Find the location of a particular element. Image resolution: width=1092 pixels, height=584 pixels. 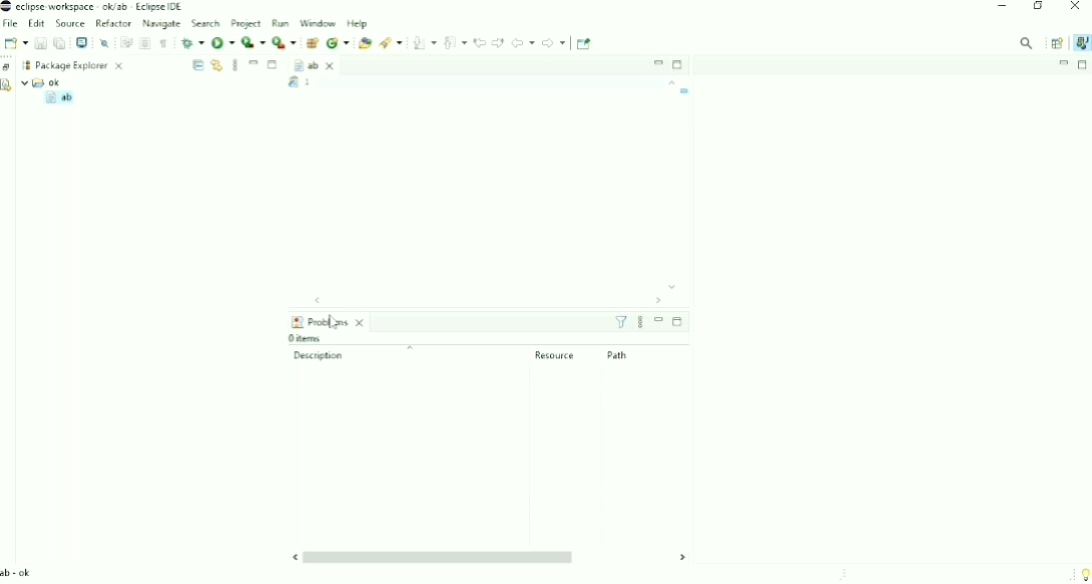

Run is located at coordinates (279, 23).